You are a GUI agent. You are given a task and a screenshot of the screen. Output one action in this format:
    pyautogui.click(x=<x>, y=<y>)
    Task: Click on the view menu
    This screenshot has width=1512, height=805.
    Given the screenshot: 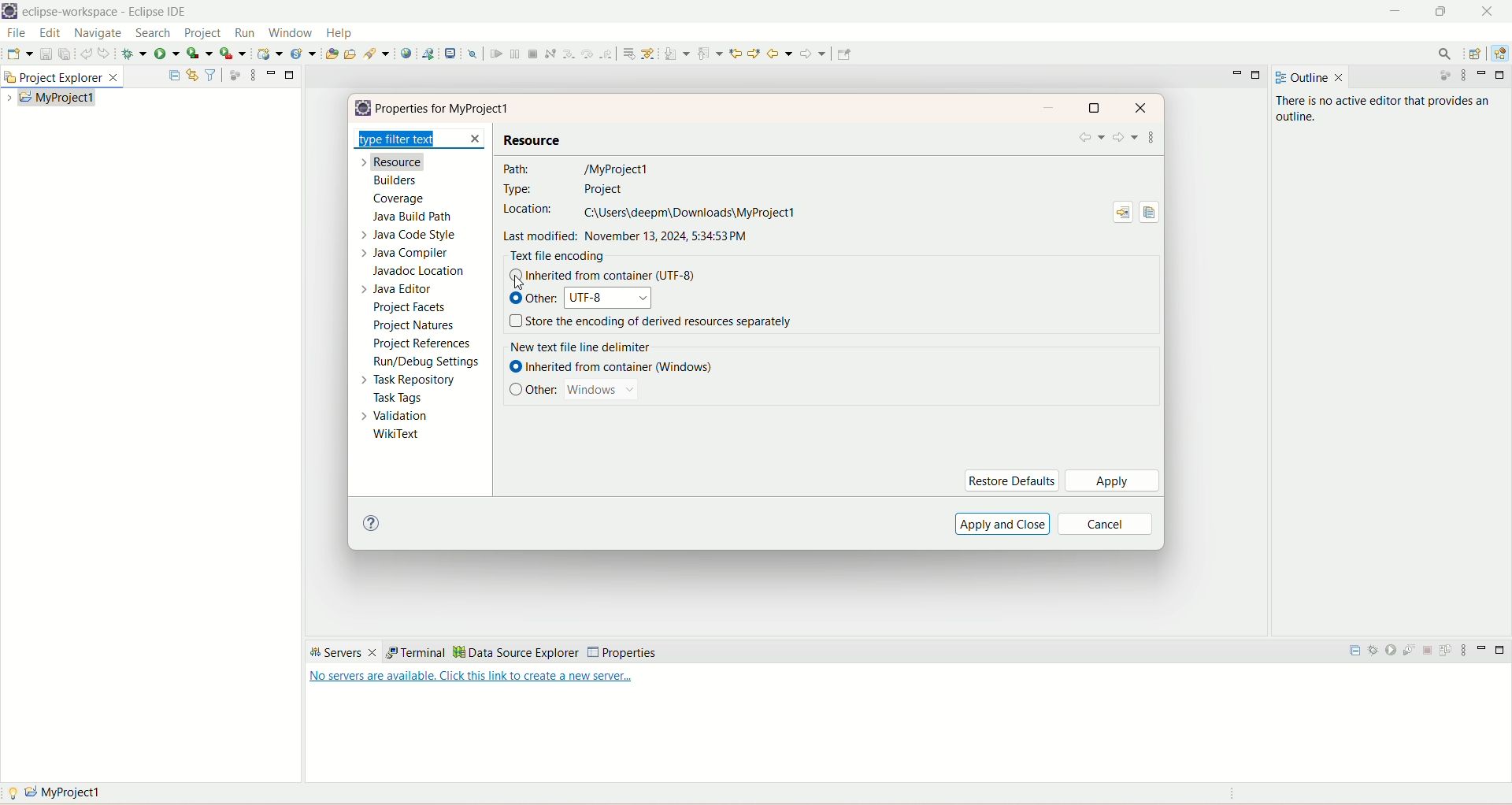 What is the action you would take?
    pyautogui.click(x=251, y=75)
    